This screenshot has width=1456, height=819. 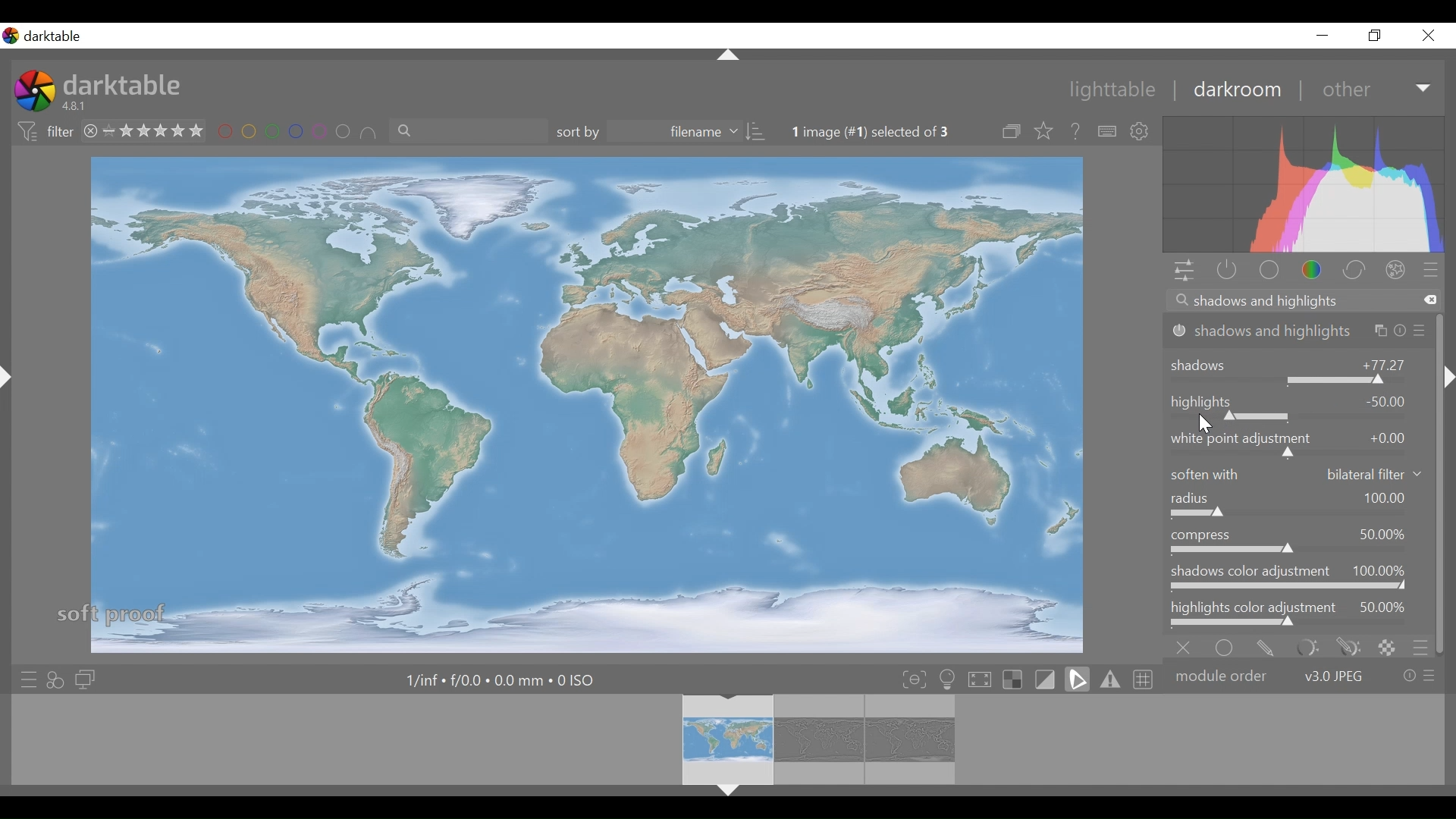 I want to click on blending options, so click(x=1421, y=646).